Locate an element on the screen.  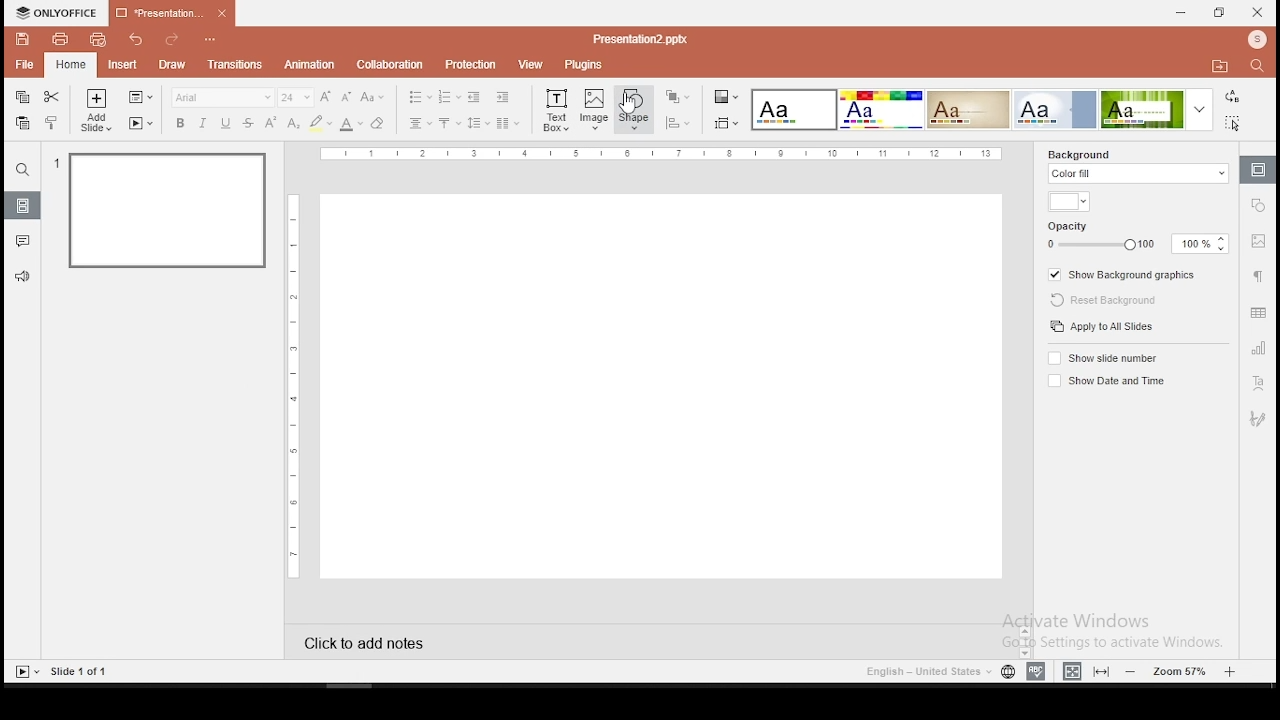
paragraph settings is located at coordinates (1257, 275).